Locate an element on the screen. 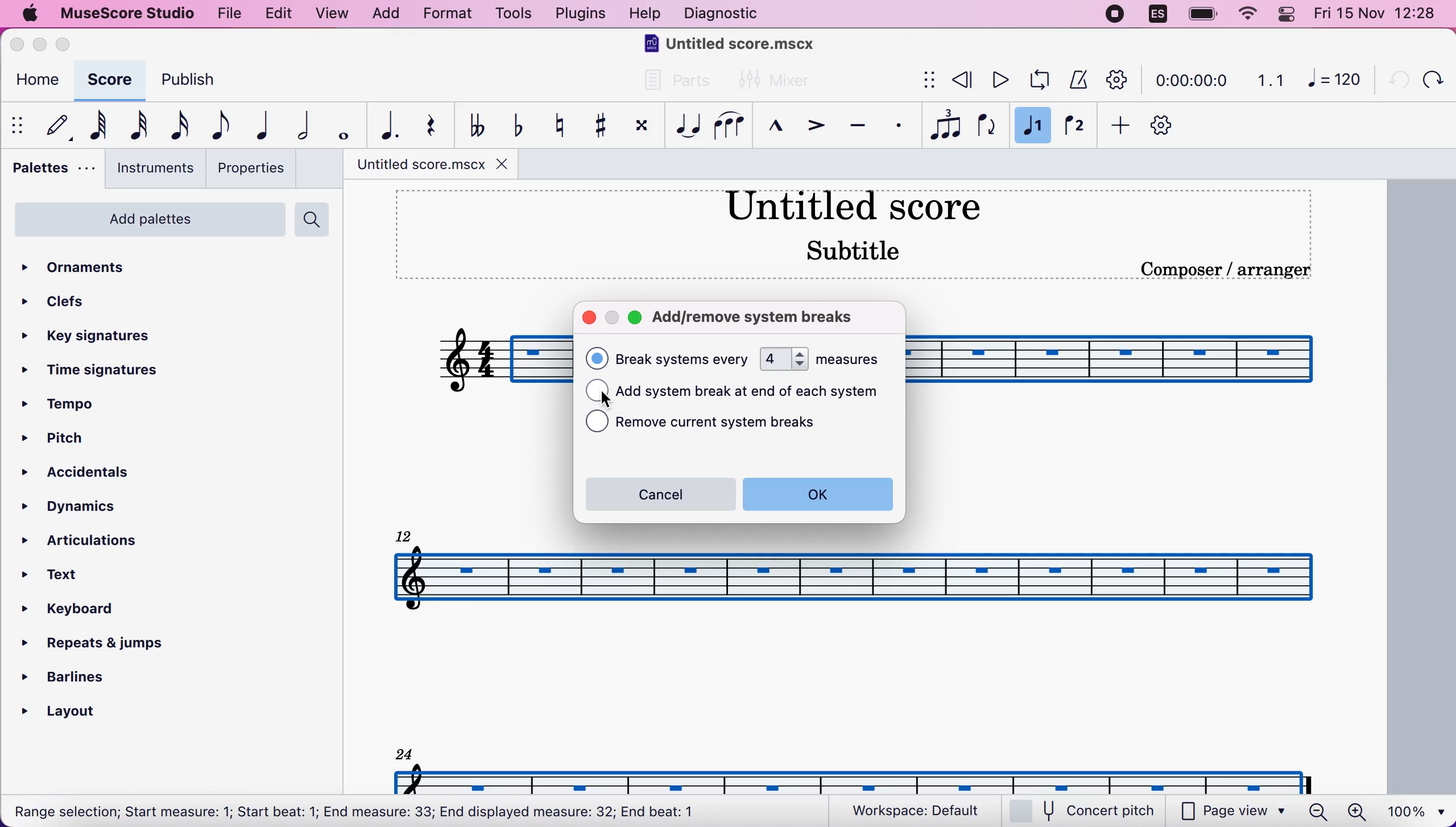  key signature is located at coordinates (99, 337).